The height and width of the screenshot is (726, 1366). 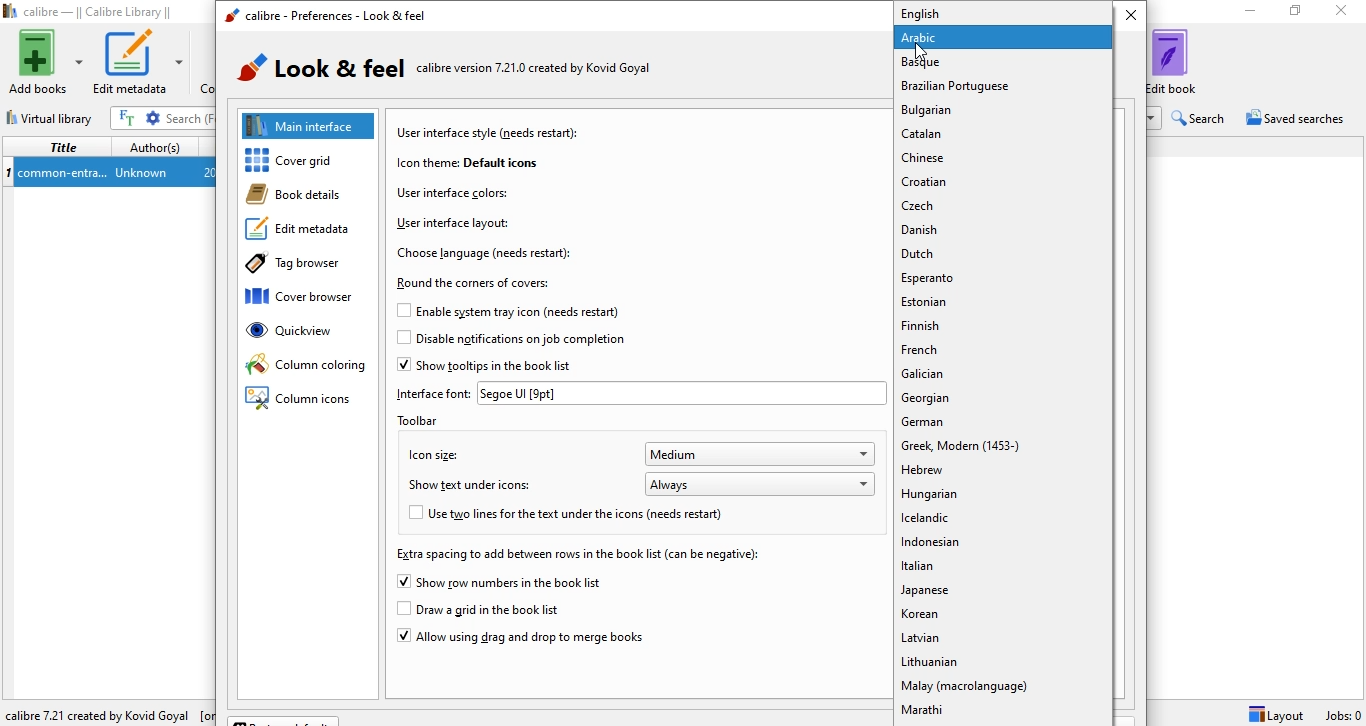 I want to click on cover grid, so click(x=313, y=161).